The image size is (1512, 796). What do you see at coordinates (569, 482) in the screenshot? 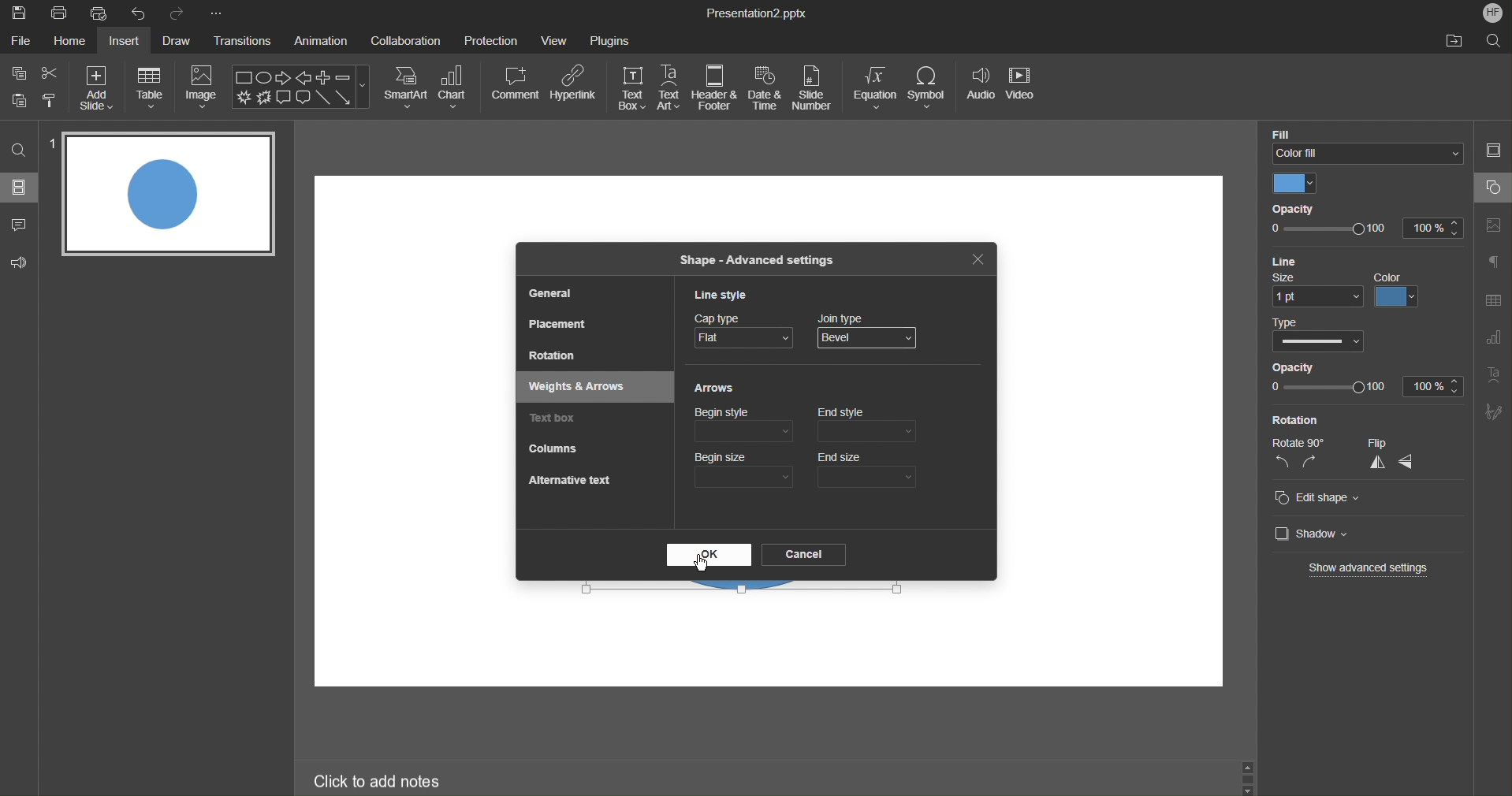
I see `Alternative Text` at bounding box center [569, 482].